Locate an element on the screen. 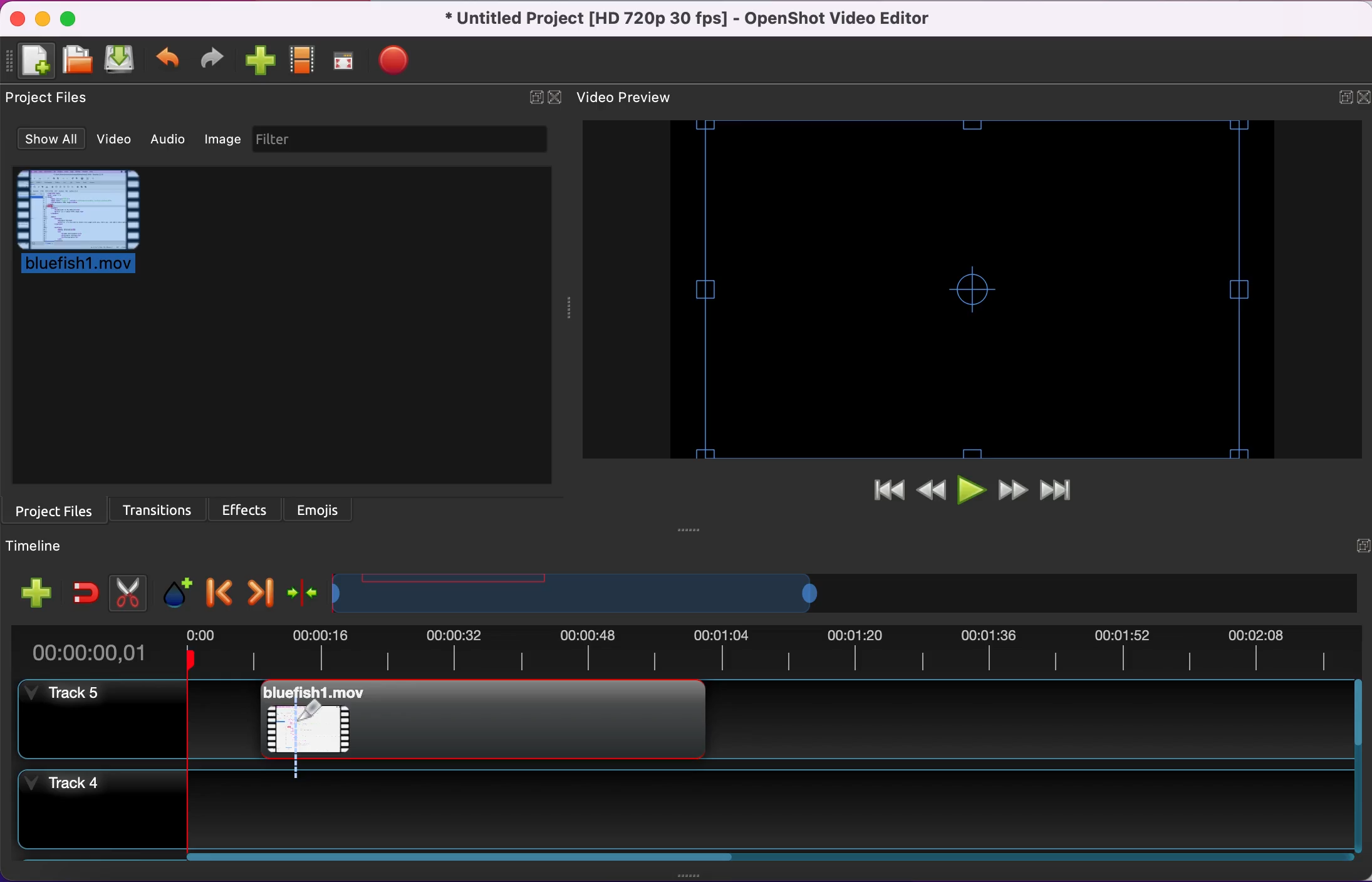 The height and width of the screenshot is (882, 1372). timeline is located at coordinates (591, 593).